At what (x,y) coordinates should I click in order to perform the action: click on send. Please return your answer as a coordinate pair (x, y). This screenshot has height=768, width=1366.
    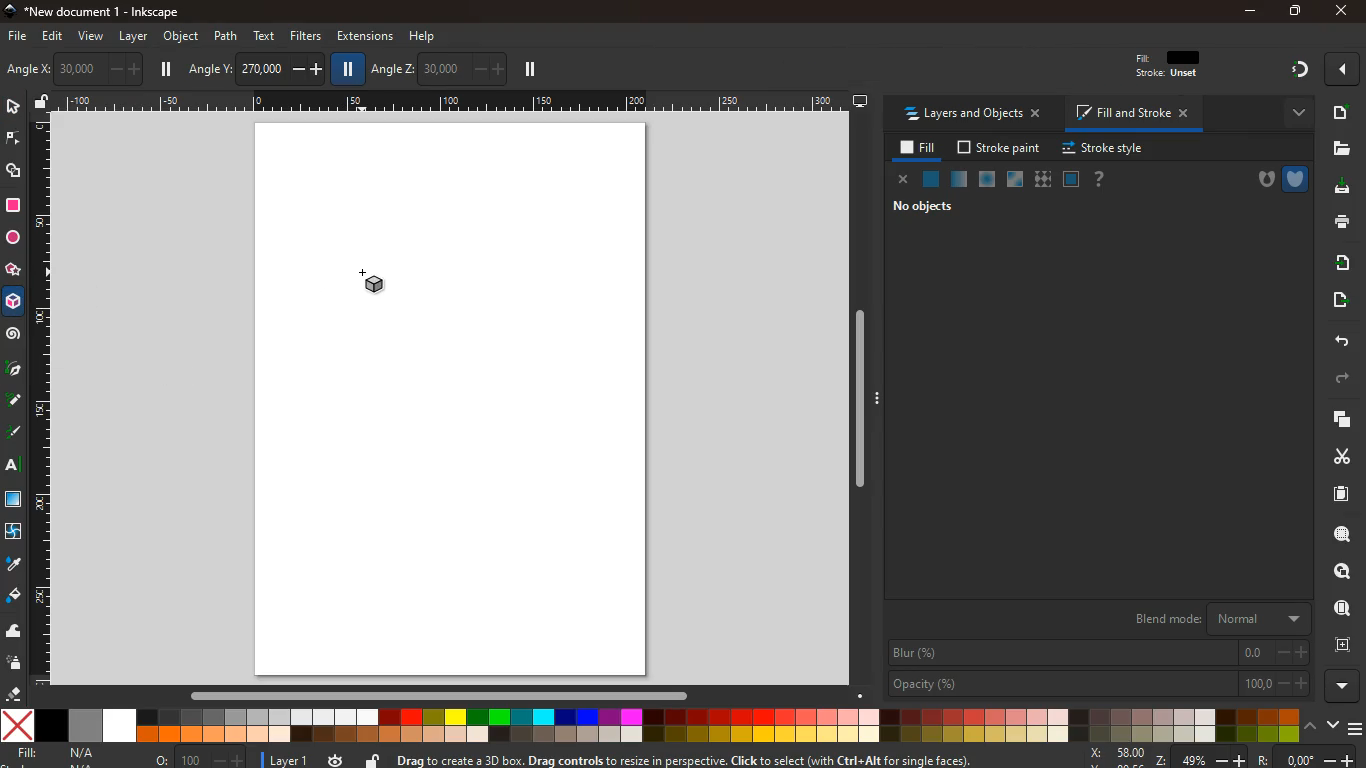
    Looking at the image, I should click on (1335, 300).